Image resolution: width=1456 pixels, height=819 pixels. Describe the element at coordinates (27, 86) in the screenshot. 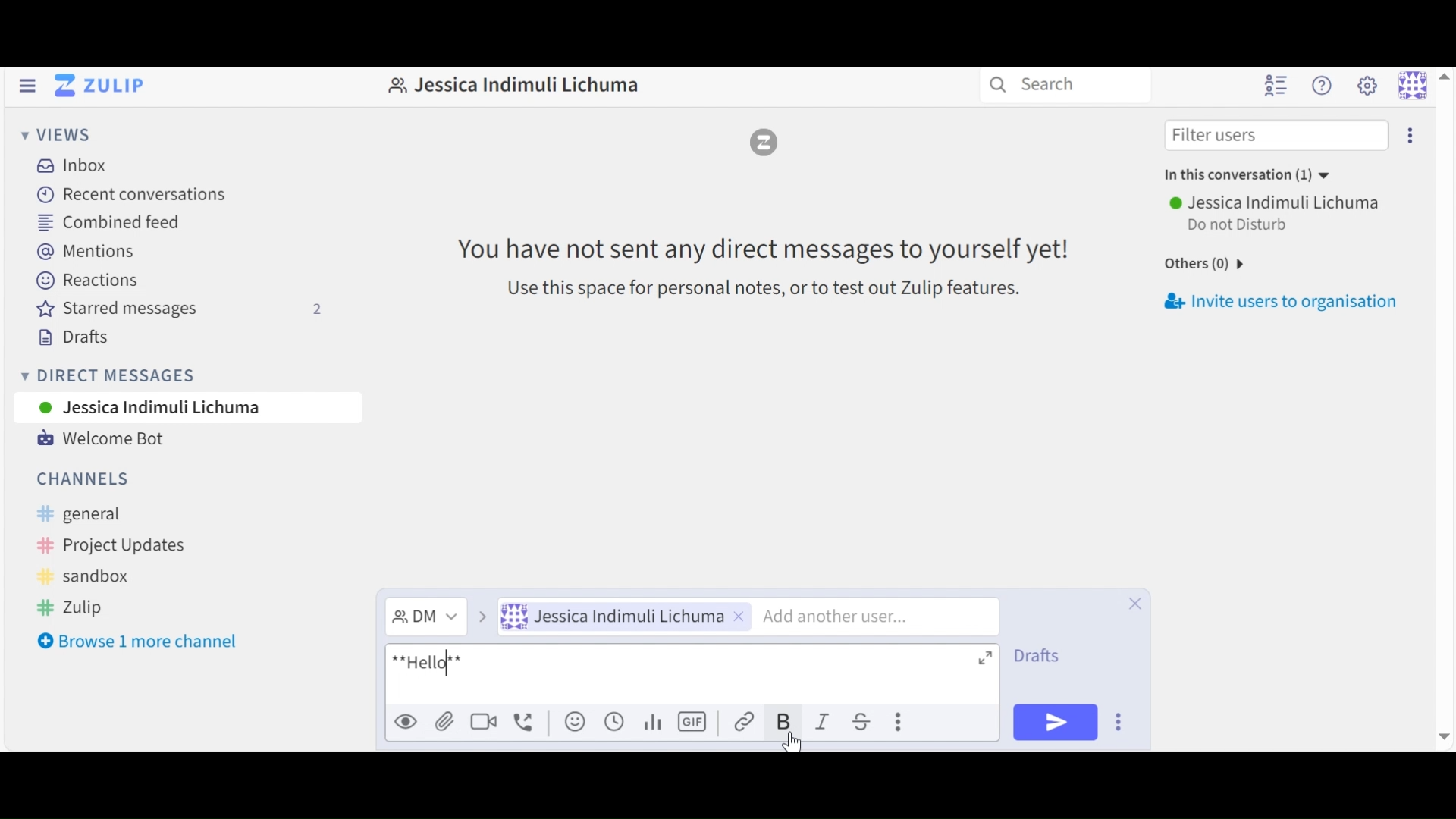

I see `Hide left Sidebar` at that location.